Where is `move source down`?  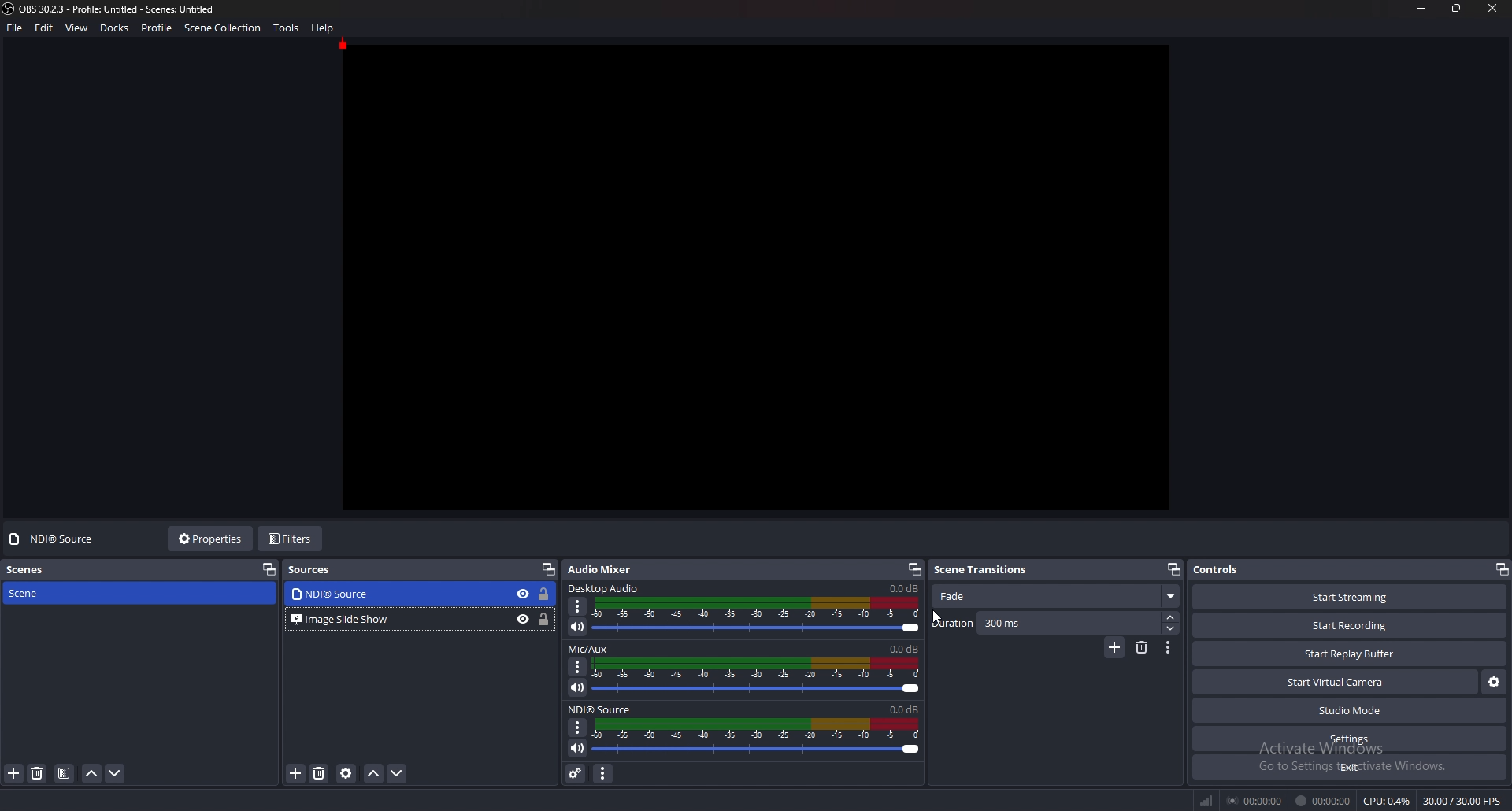
move source down is located at coordinates (397, 773).